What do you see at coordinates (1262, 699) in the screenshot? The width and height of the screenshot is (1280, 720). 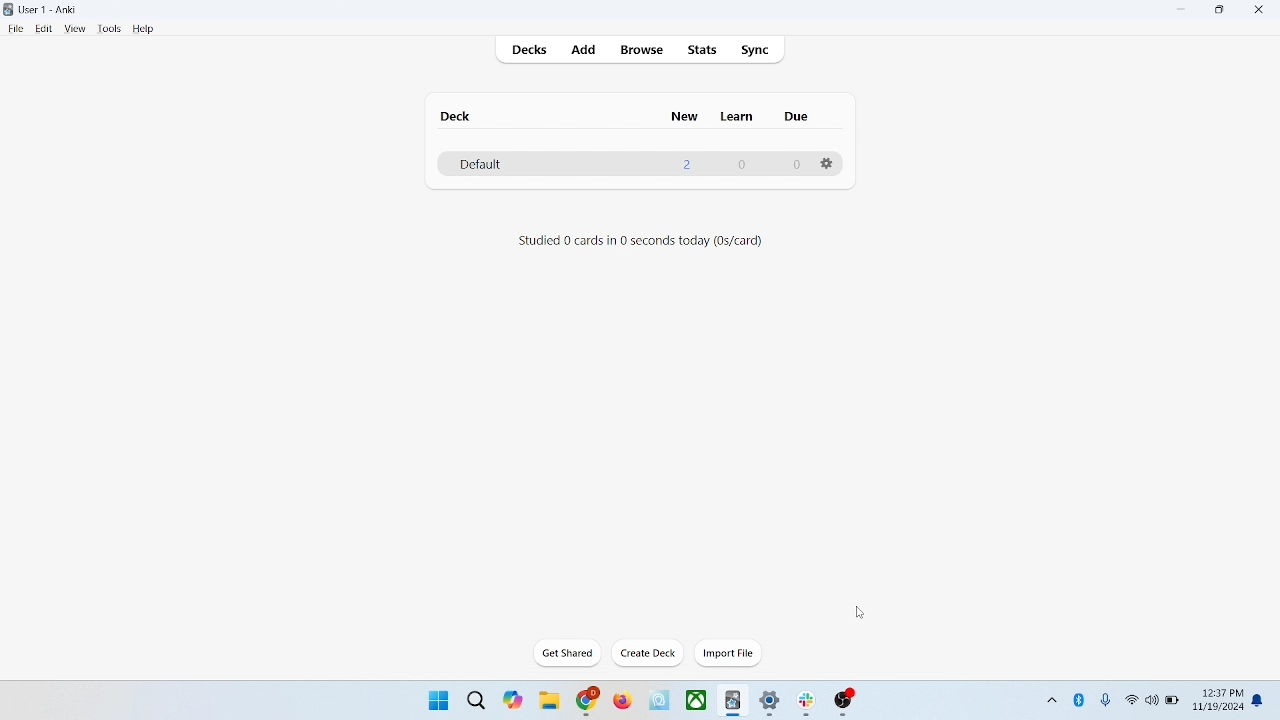 I see `notification` at bounding box center [1262, 699].